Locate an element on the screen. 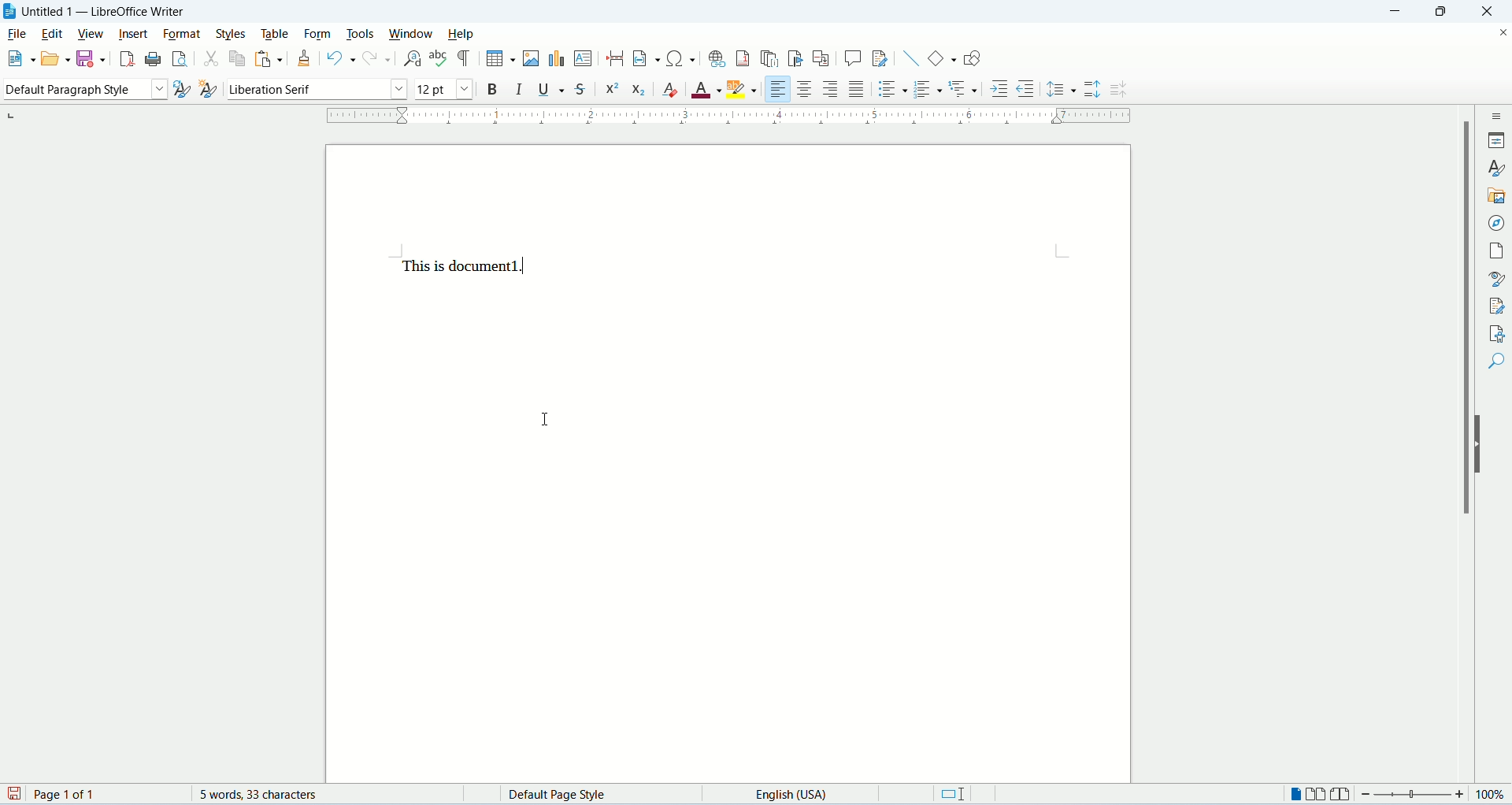 Image resolution: width=1512 pixels, height=805 pixels. print is located at coordinates (150, 59).